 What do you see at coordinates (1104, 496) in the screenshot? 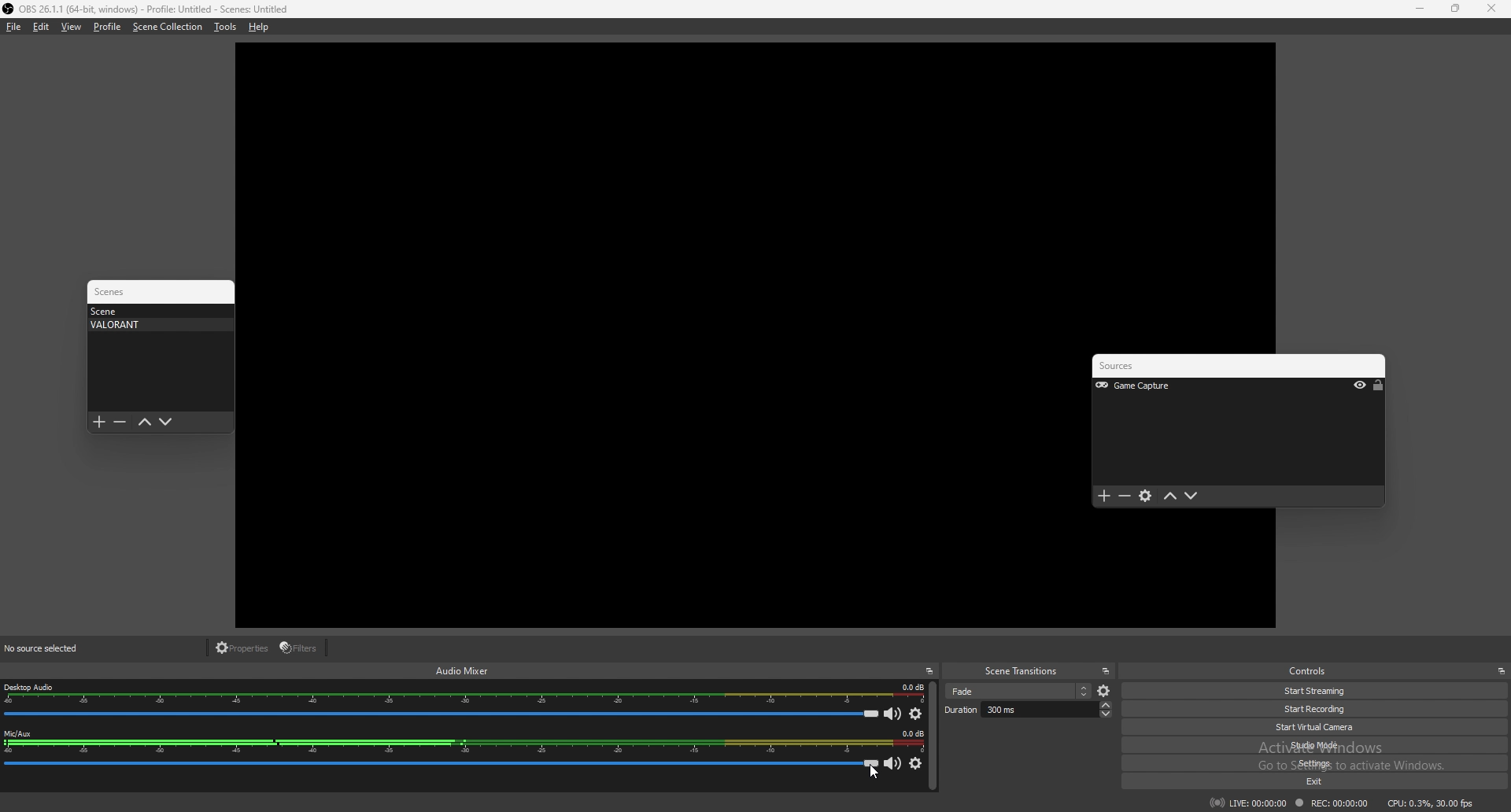
I see `add` at bounding box center [1104, 496].